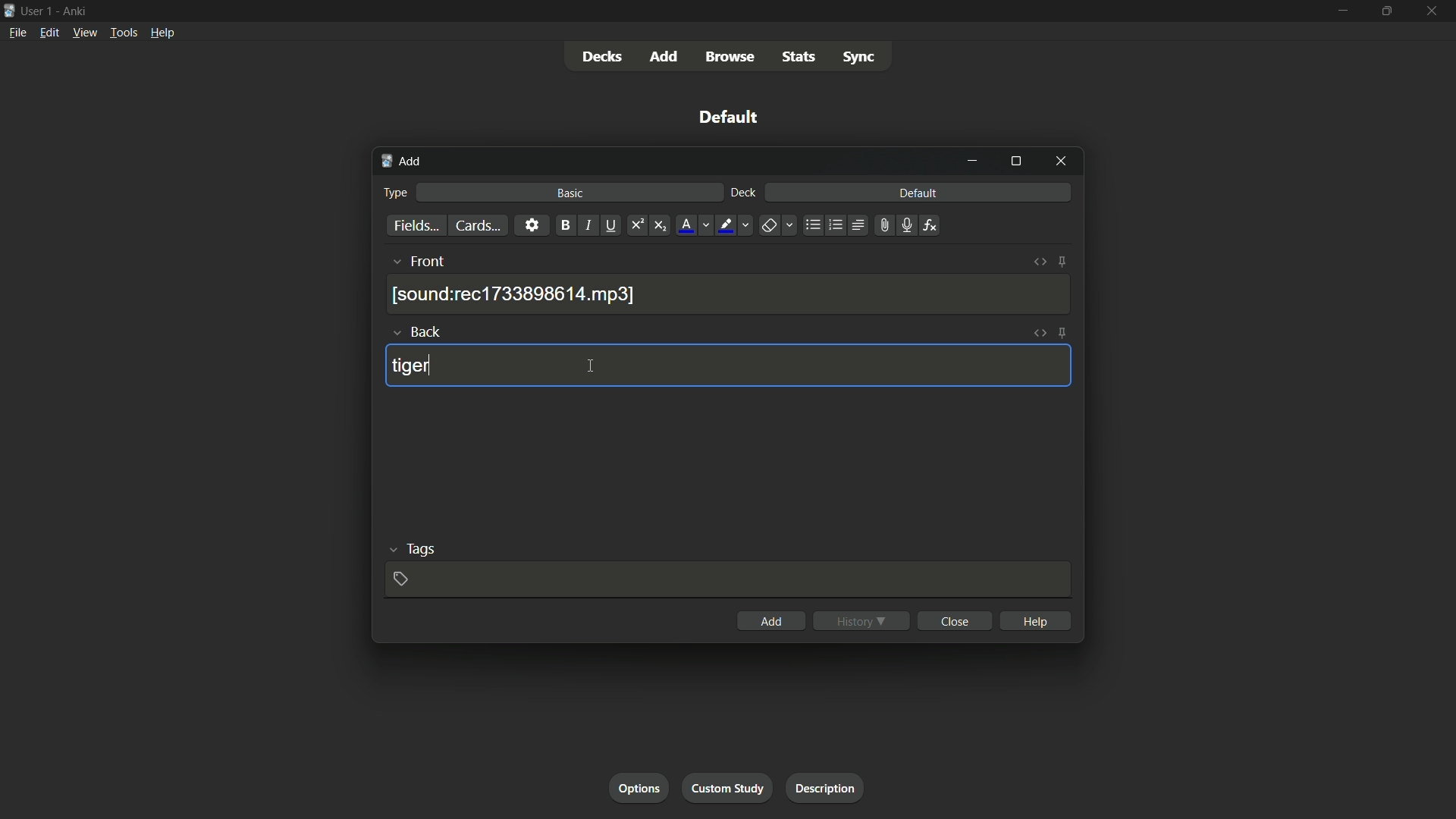 This screenshot has height=819, width=1456. What do you see at coordinates (429, 262) in the screenshot?
I see `front` at bounding box center [429, 262].